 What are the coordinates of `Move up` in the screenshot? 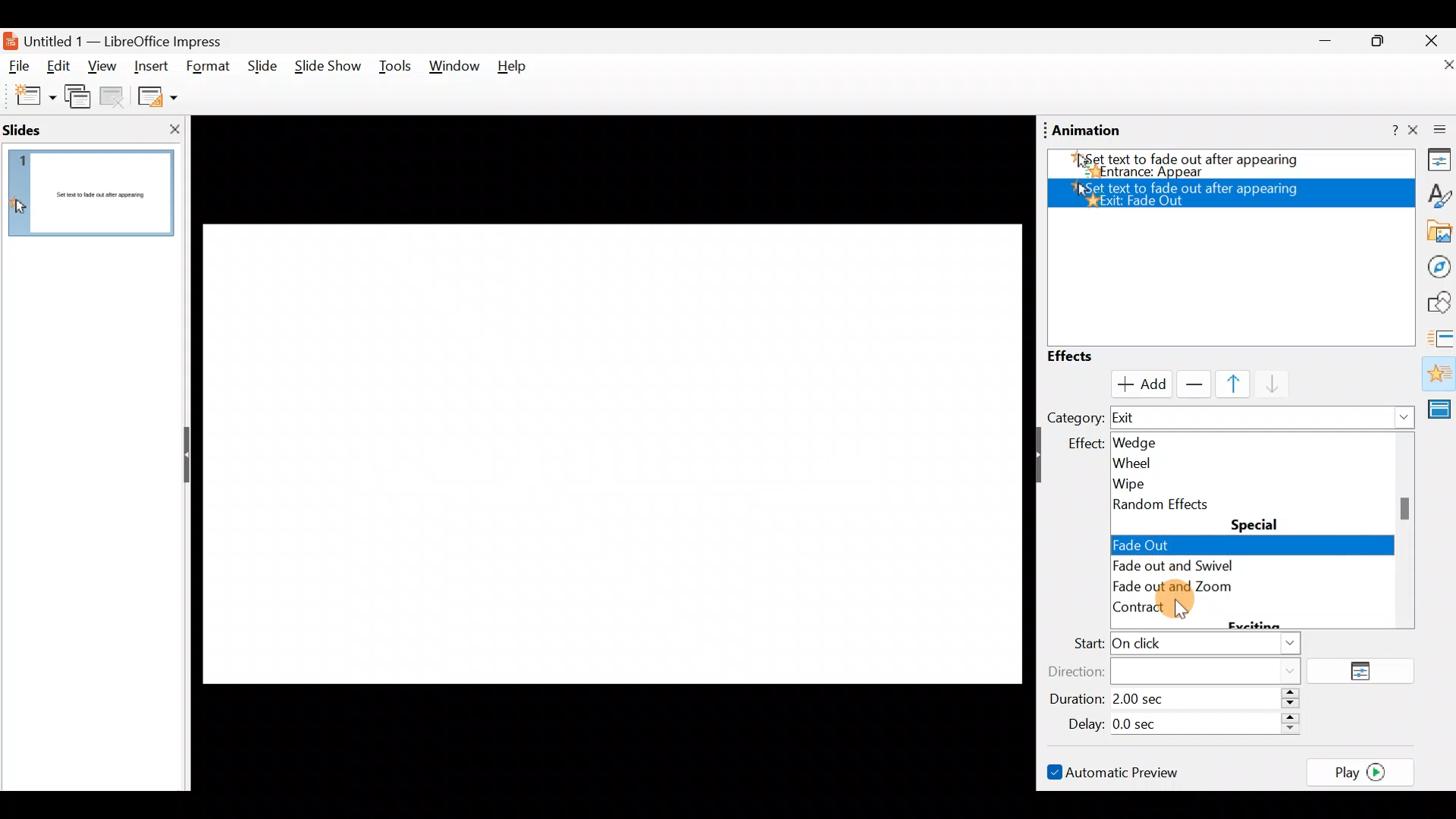 It's located at (1224, 384).